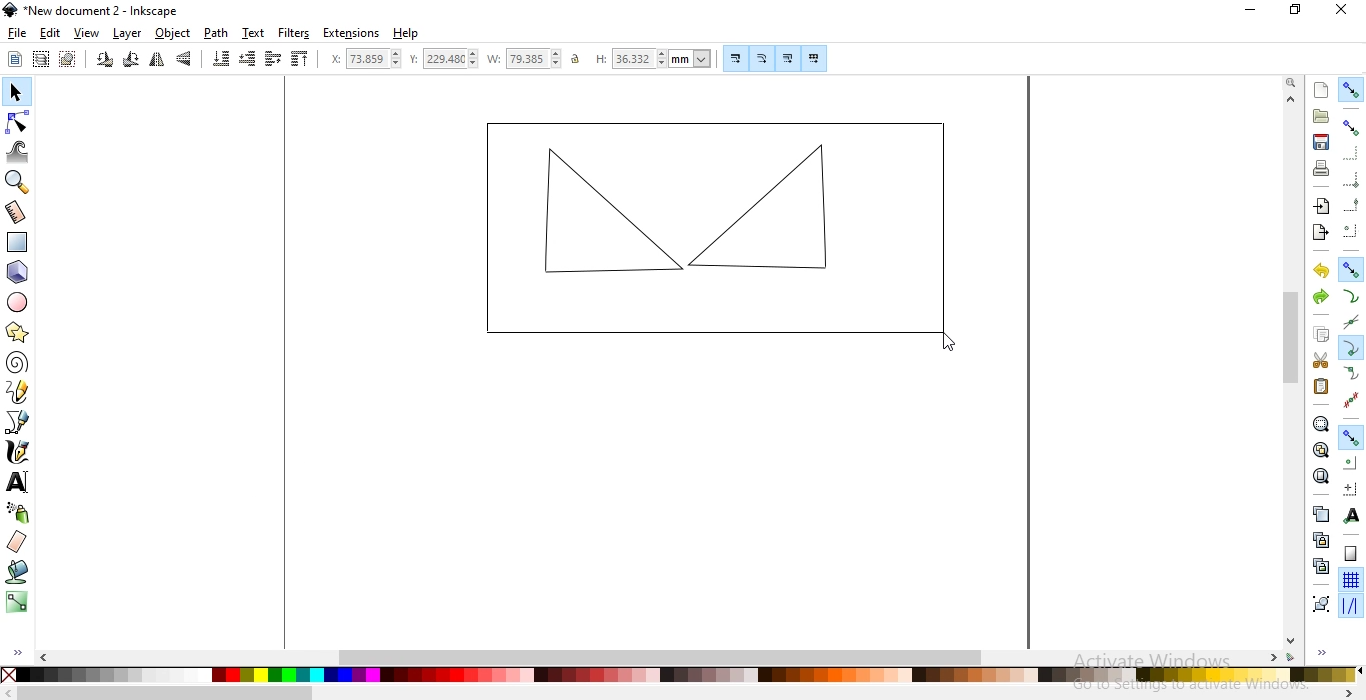 Image resolution: width=1366 pixels, height=700 pixels. Describe the element at coordinates (814, 56) in the screenshot. I see `move patterns along with objects` at that location.